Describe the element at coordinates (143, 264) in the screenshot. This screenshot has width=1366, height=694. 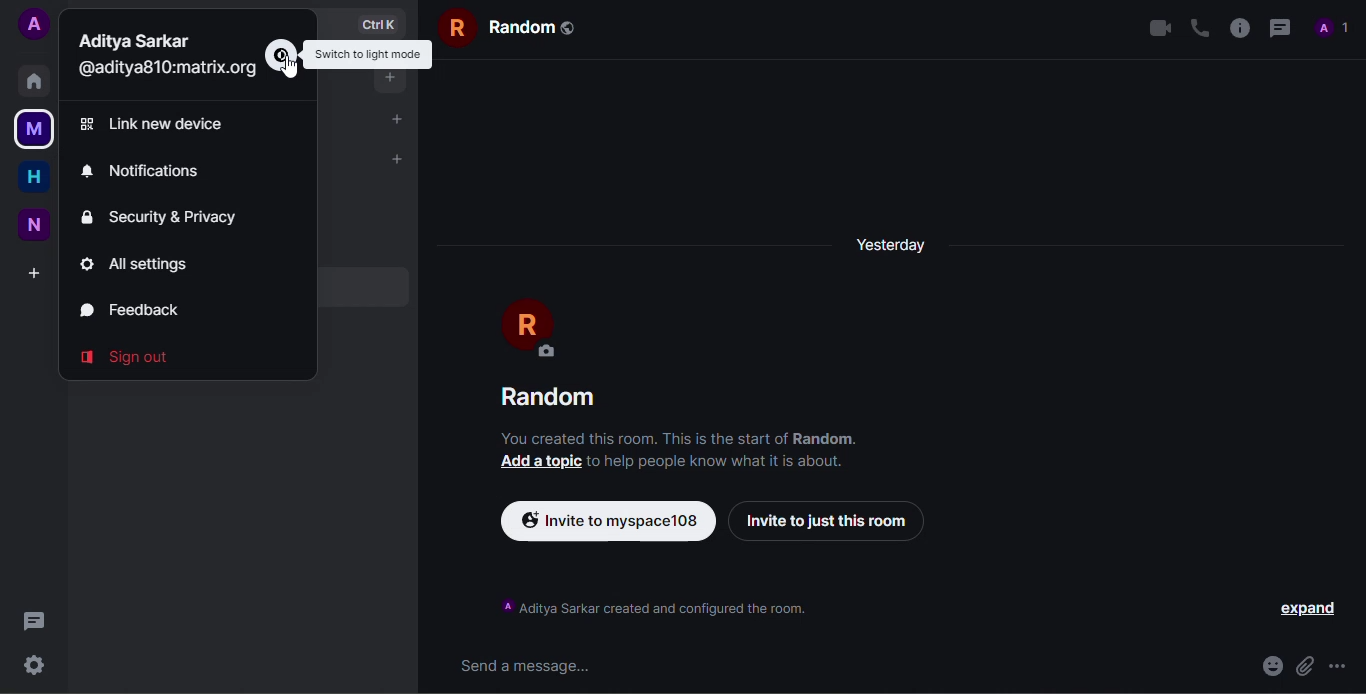
I see `all settings` at that location.